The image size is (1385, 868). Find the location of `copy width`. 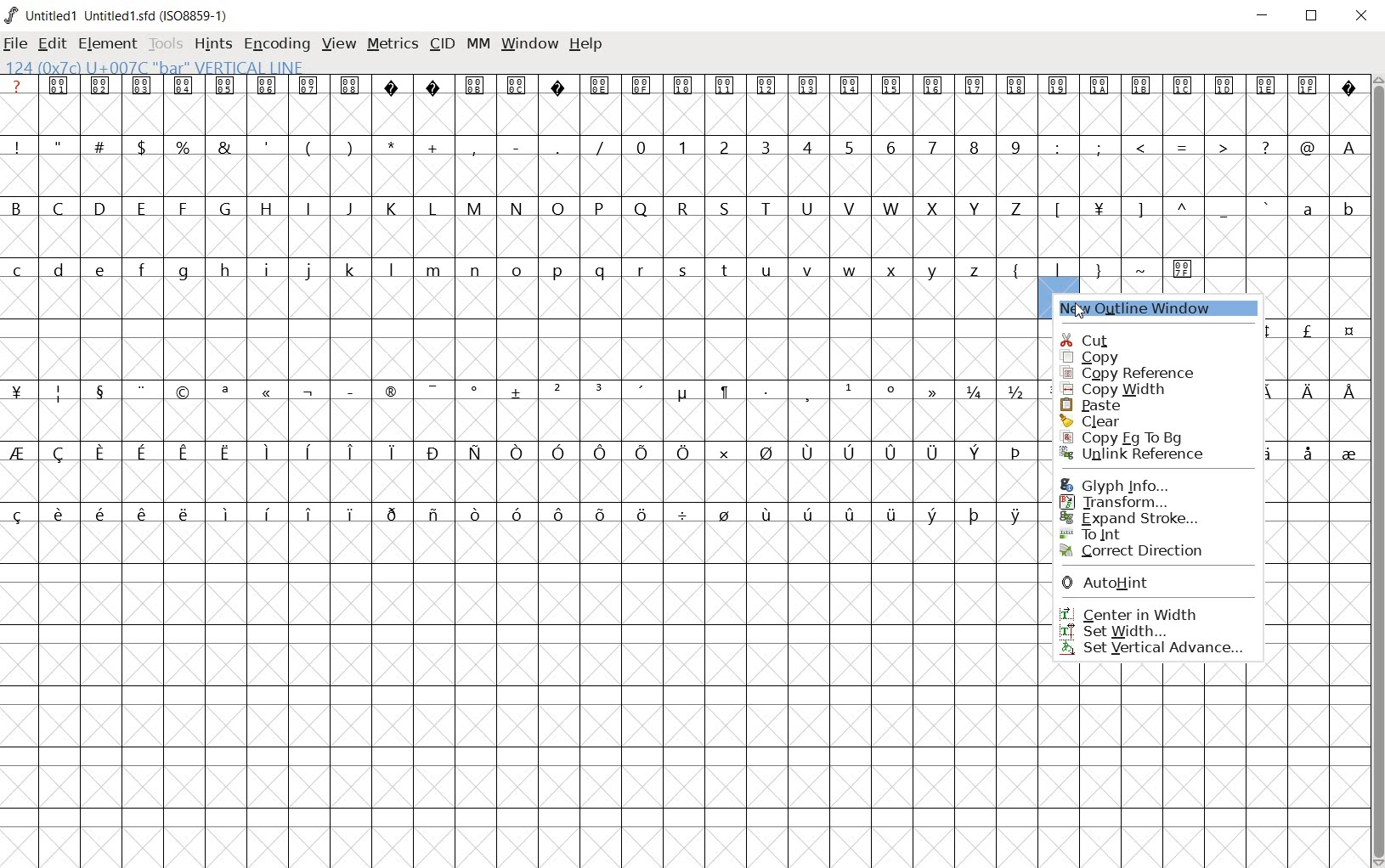

copy width is located at coordinates (1115, 387).